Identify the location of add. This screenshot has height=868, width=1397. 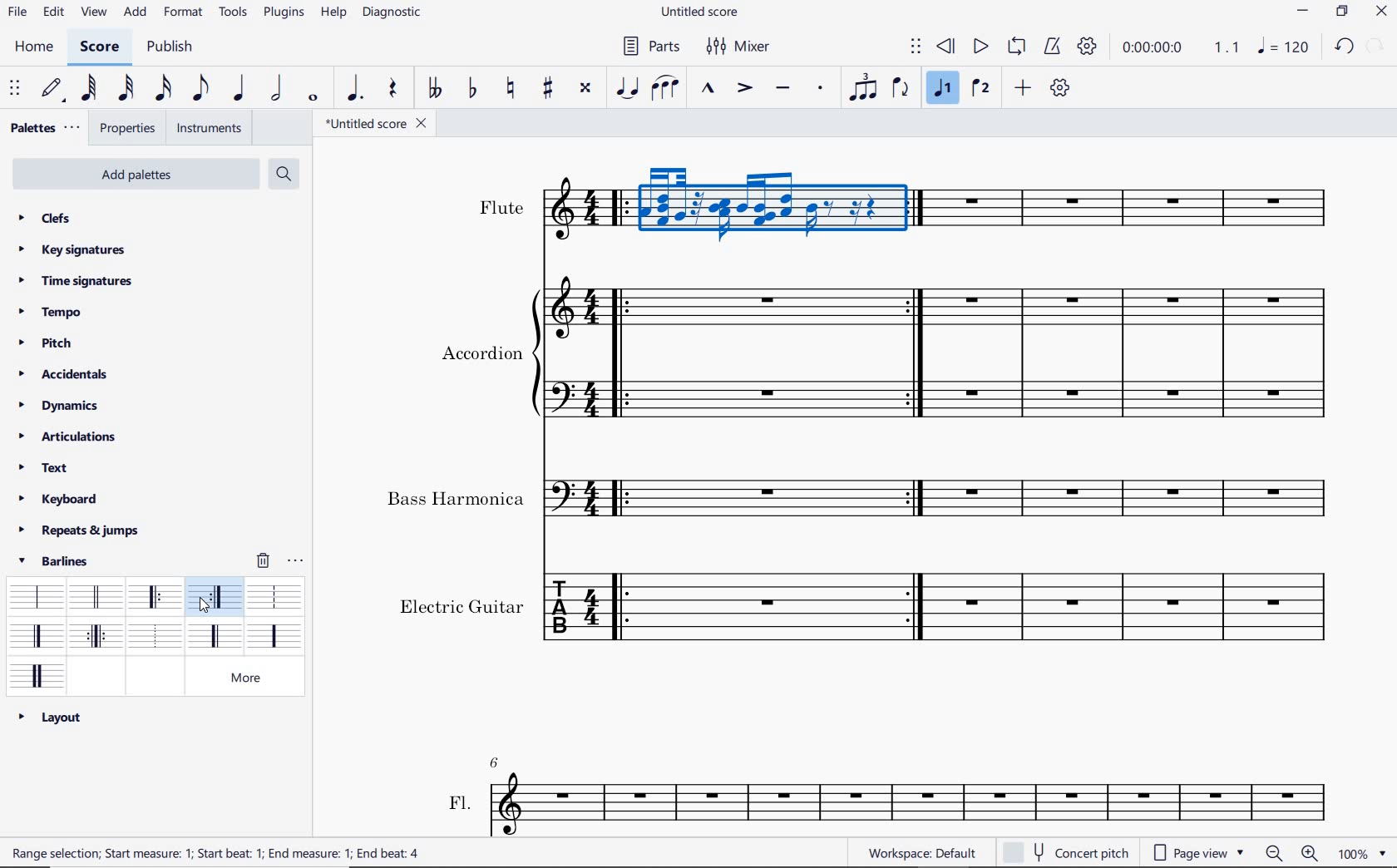
(136, 12).